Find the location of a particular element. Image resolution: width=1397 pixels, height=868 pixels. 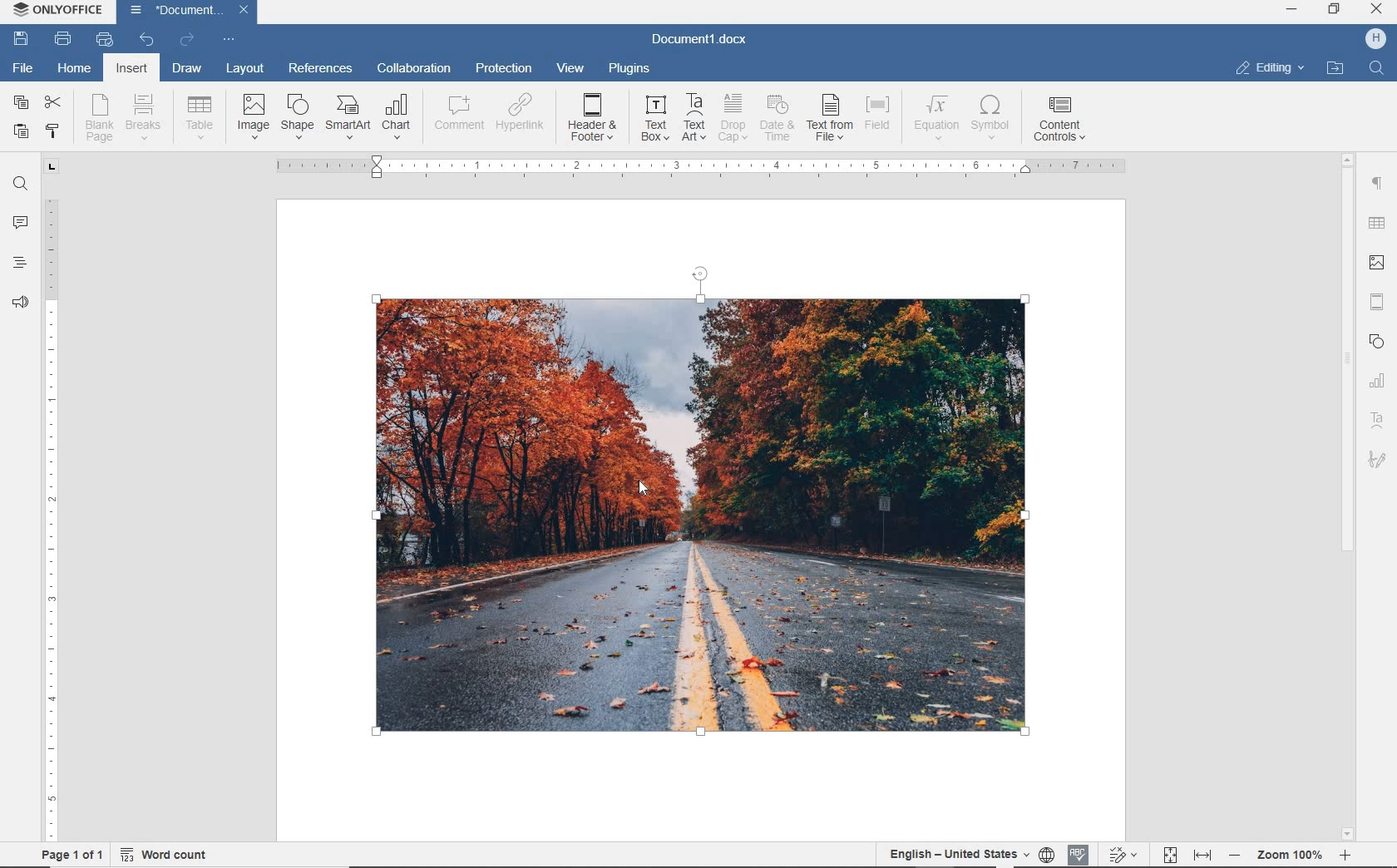

restore  is located at coordinates (1334, 9).